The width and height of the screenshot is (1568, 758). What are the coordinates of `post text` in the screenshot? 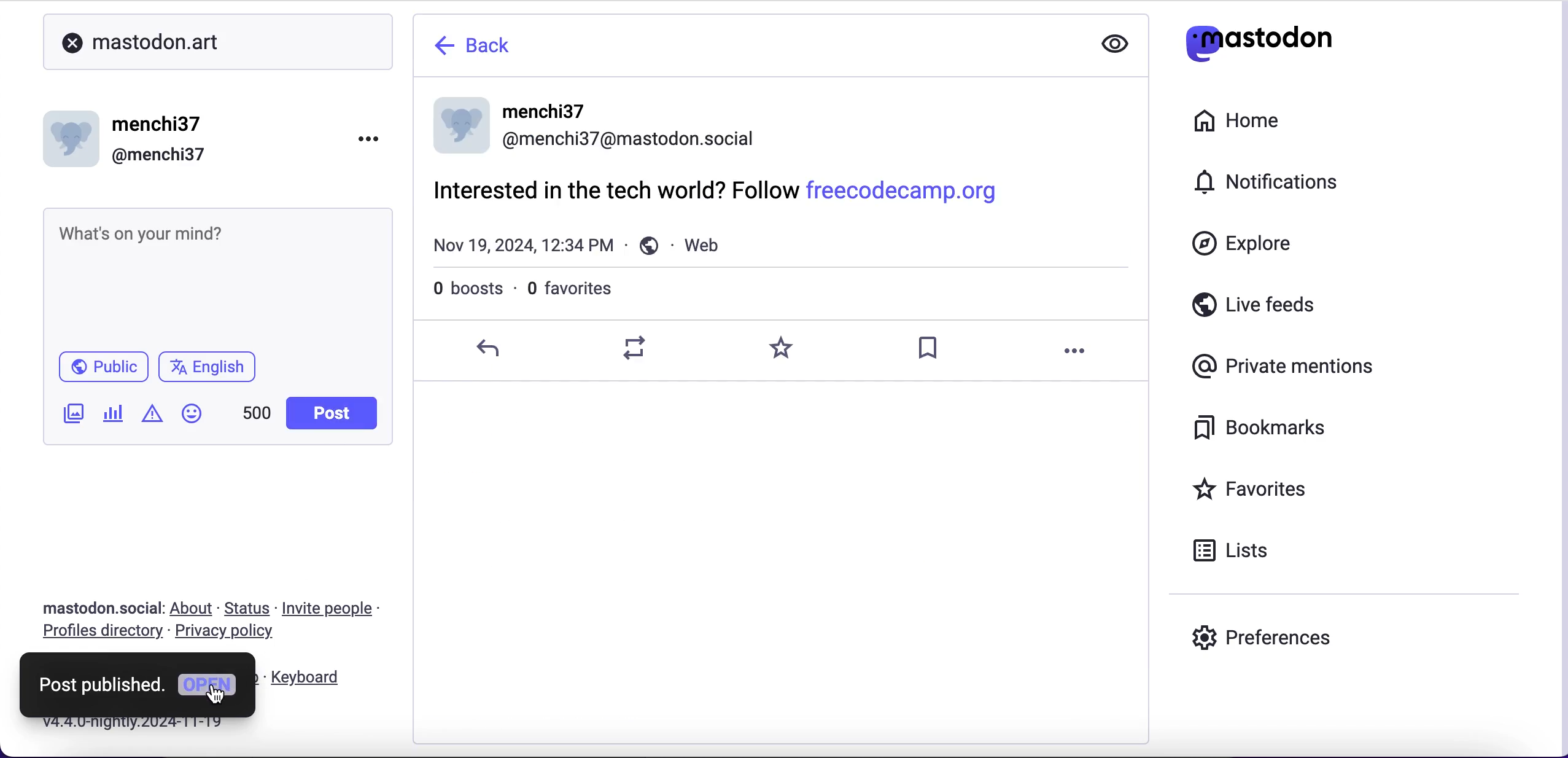 It's located at (206, 244).